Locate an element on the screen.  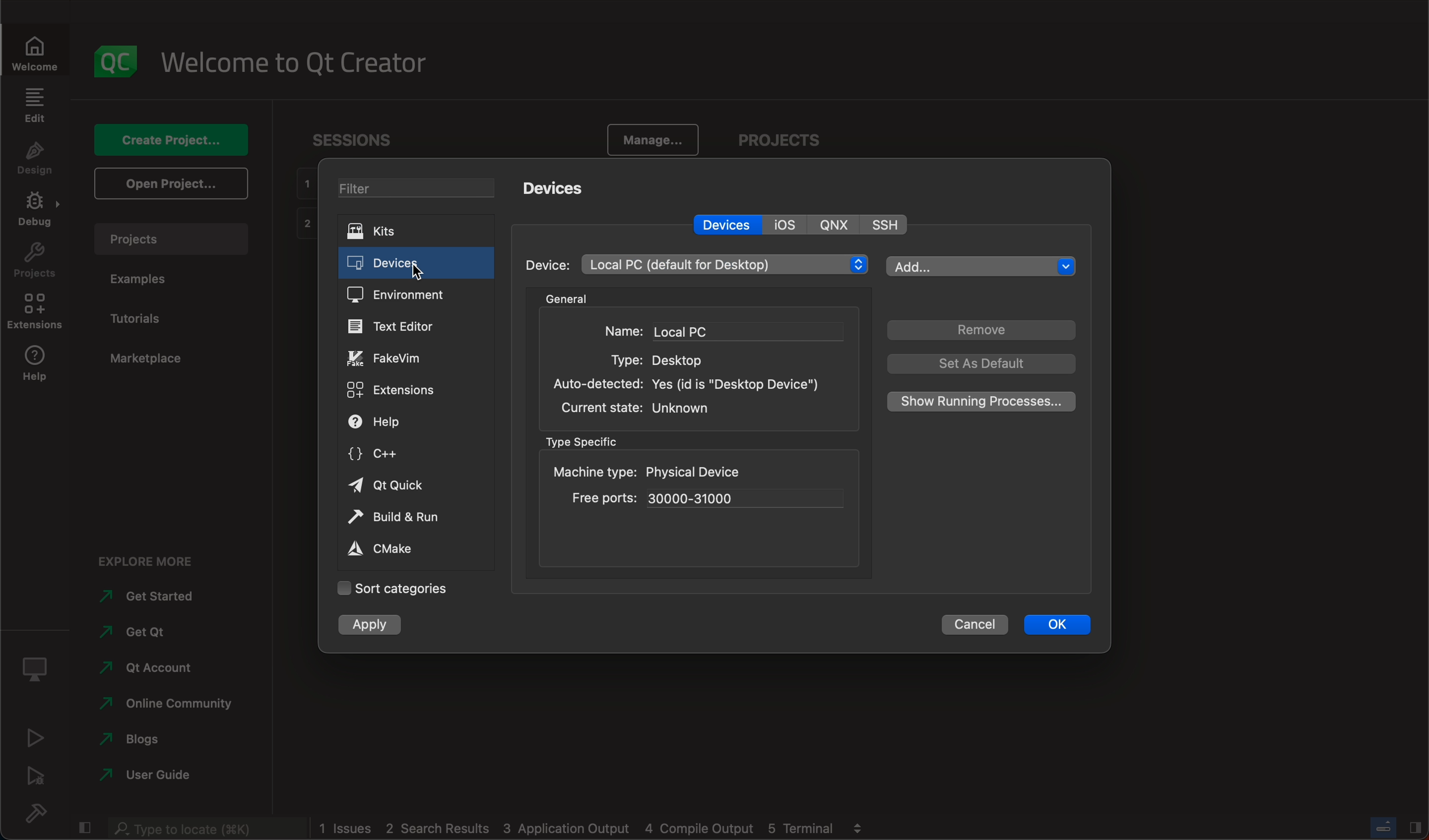
marketplace is located at coordinates (150, 360).